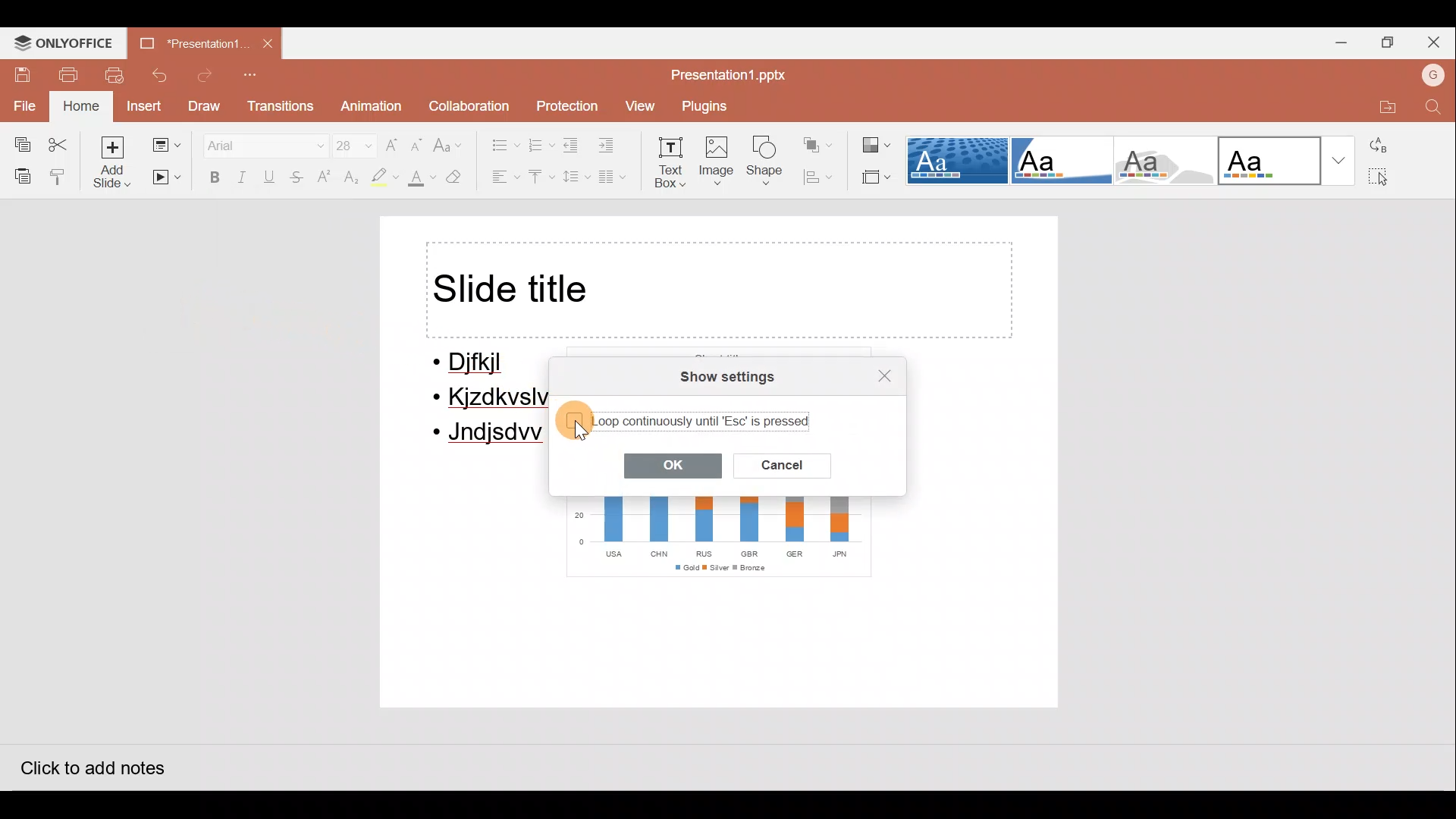 The height and width of the screenshot is (819, 1456). What do you see at coordinates (472, 104) in the screenshot?
I see `Collaboration` at bounding box center [472, 104].